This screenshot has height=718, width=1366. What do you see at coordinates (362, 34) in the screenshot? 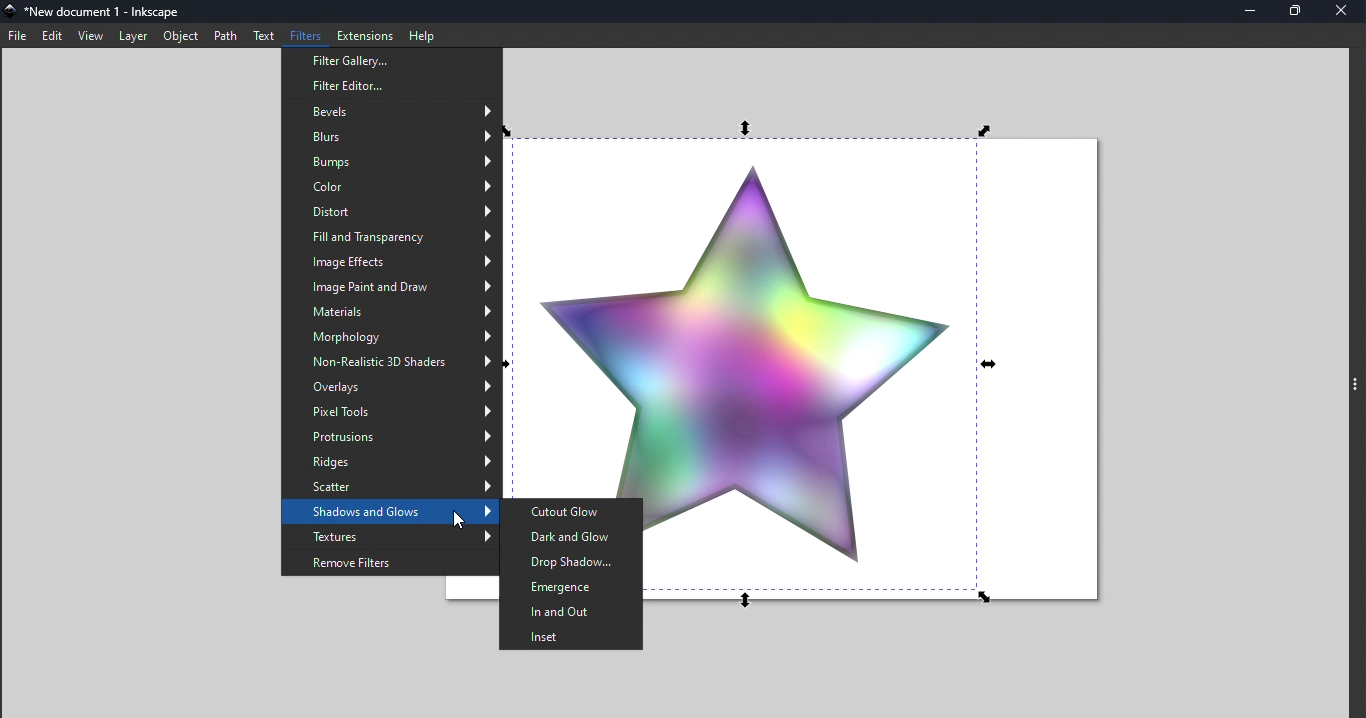
I see `Extensions` at bounding box center [362, 34].